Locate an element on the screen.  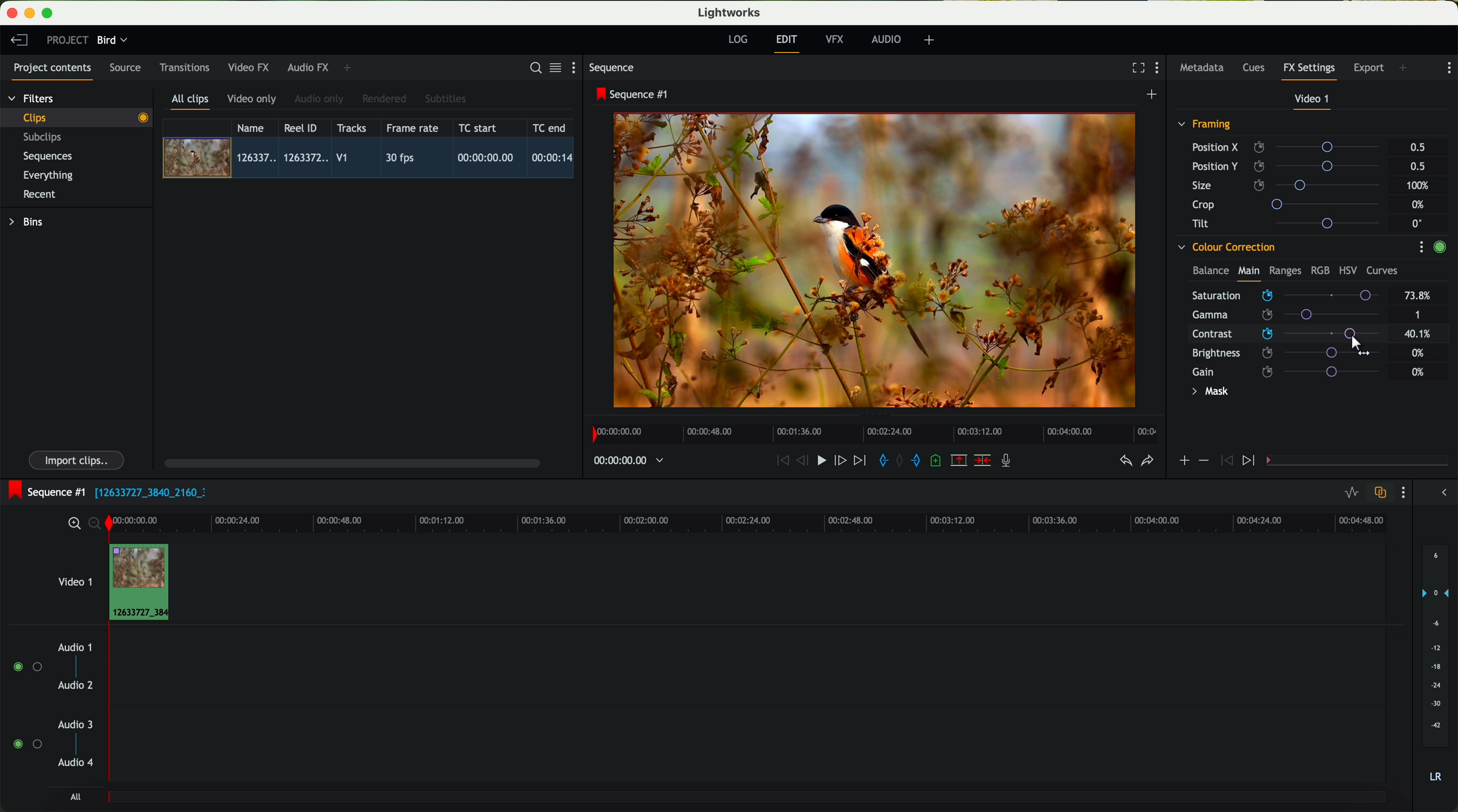
minimize program is located at coordinates (32, 14).